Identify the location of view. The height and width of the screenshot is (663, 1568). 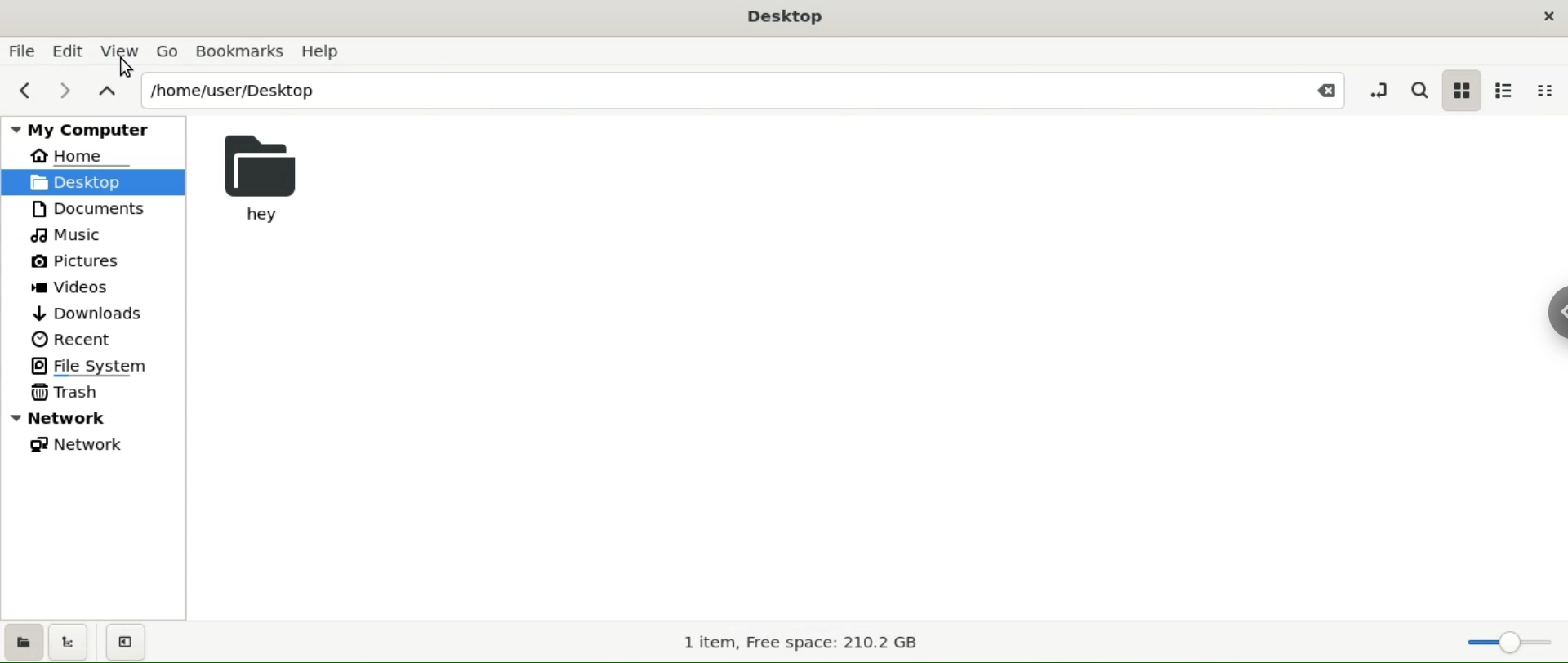
(121, 51).